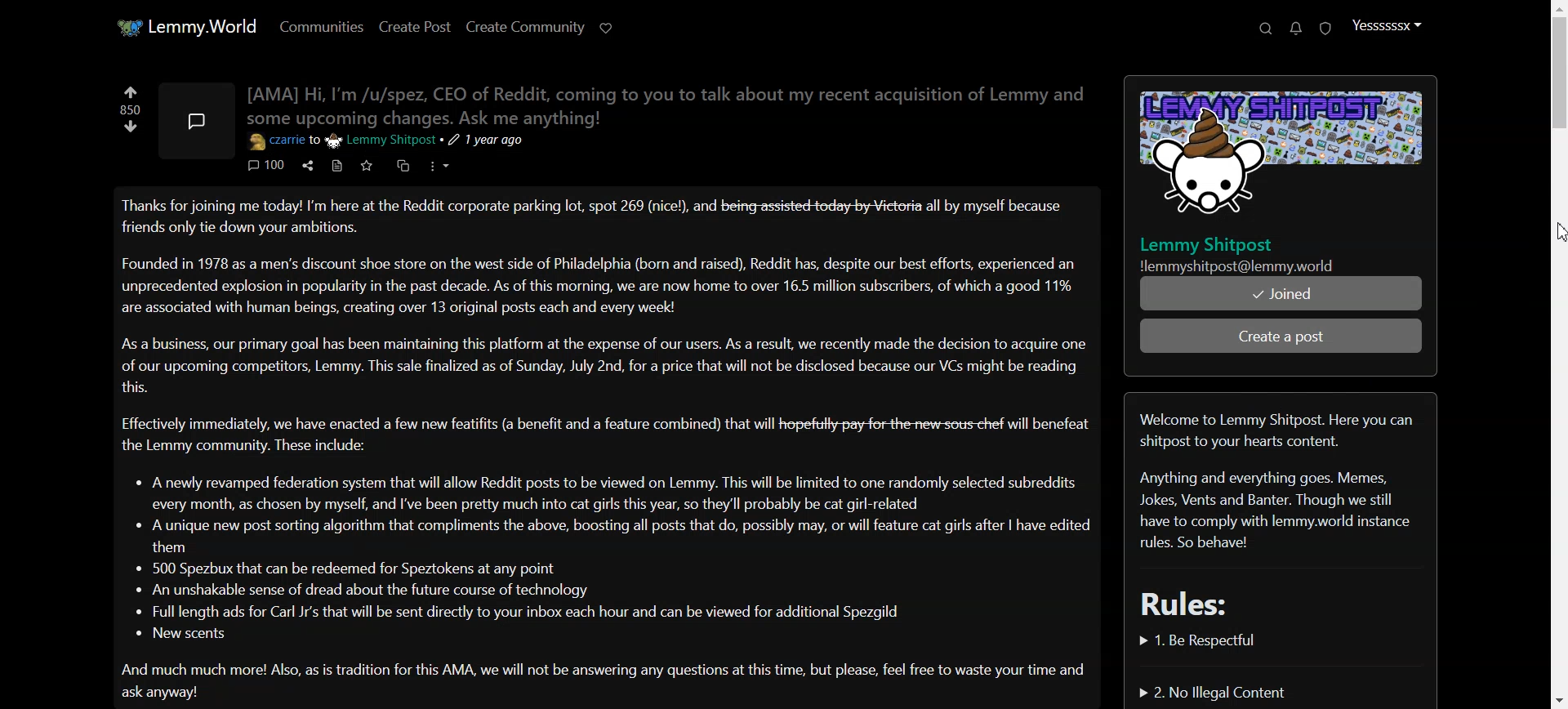 Image resolution: width=1568 pixels, height=709 pixels. What do you see at coordinates (338, 166) in the screenshot?
I see `View Source` at bounding box center [338, 166].